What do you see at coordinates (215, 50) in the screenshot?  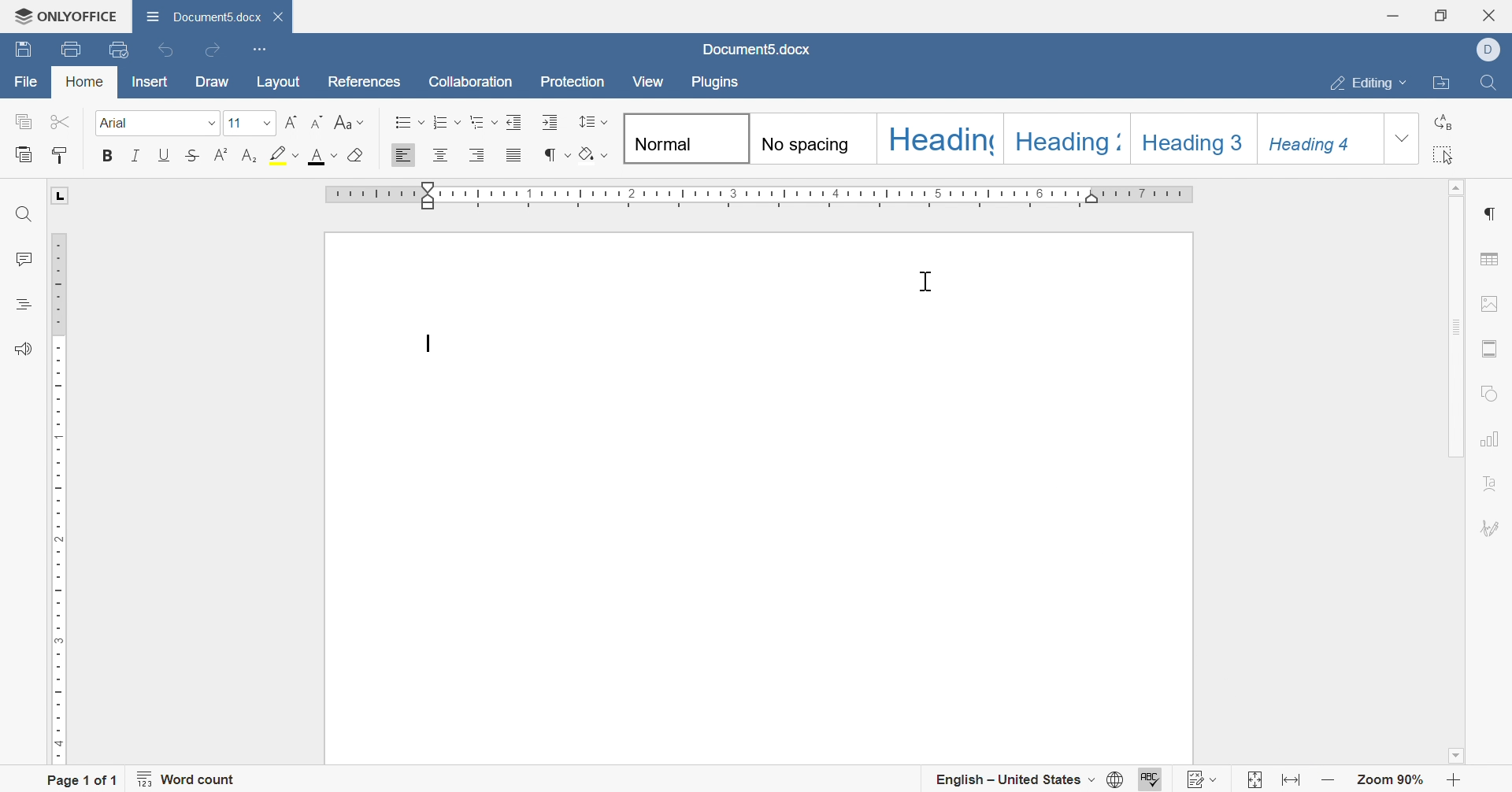 I see `redo` at bounding box center [215, 50].